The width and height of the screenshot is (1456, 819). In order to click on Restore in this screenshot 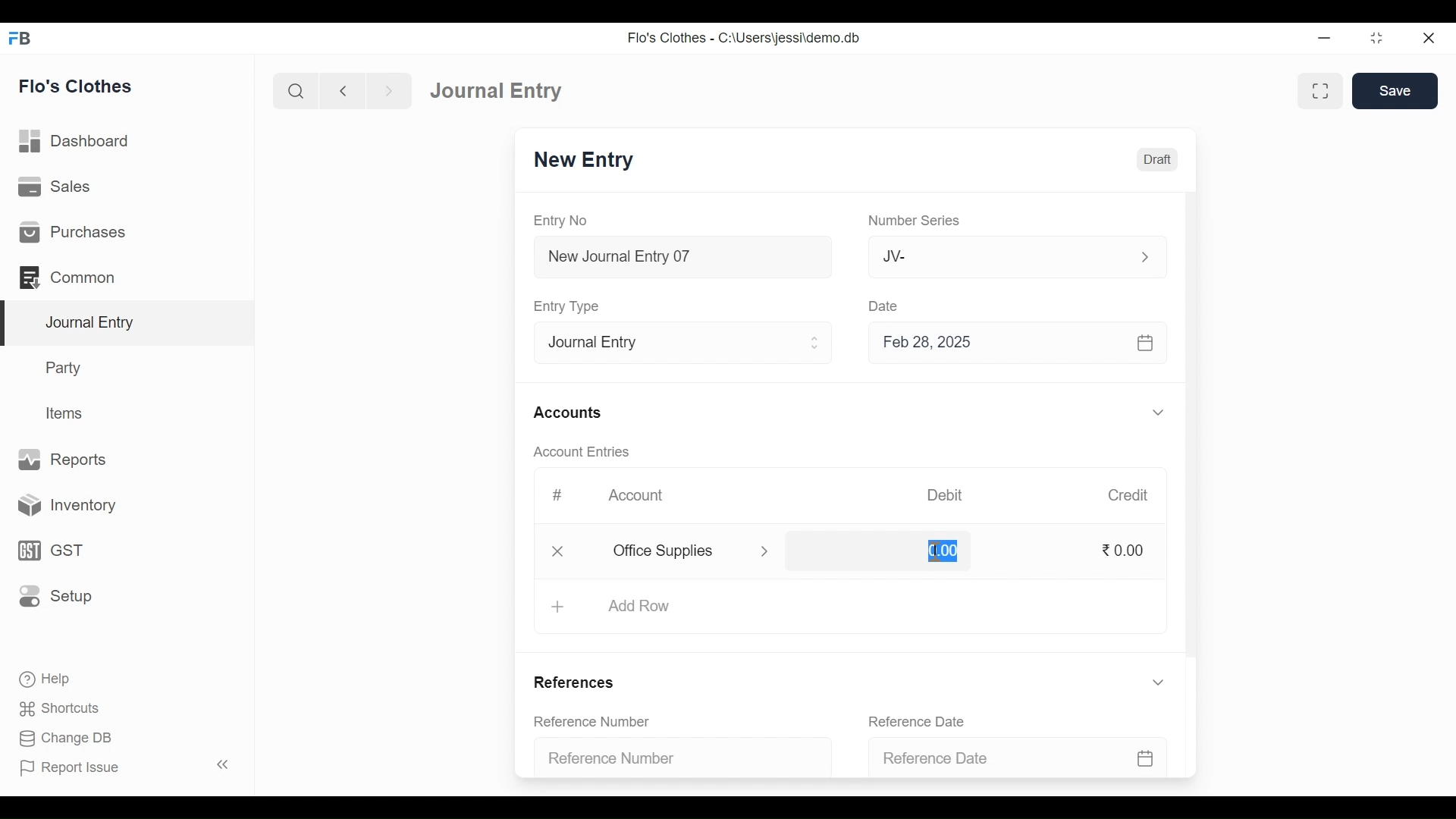, I will do `click(1376, 38)`.